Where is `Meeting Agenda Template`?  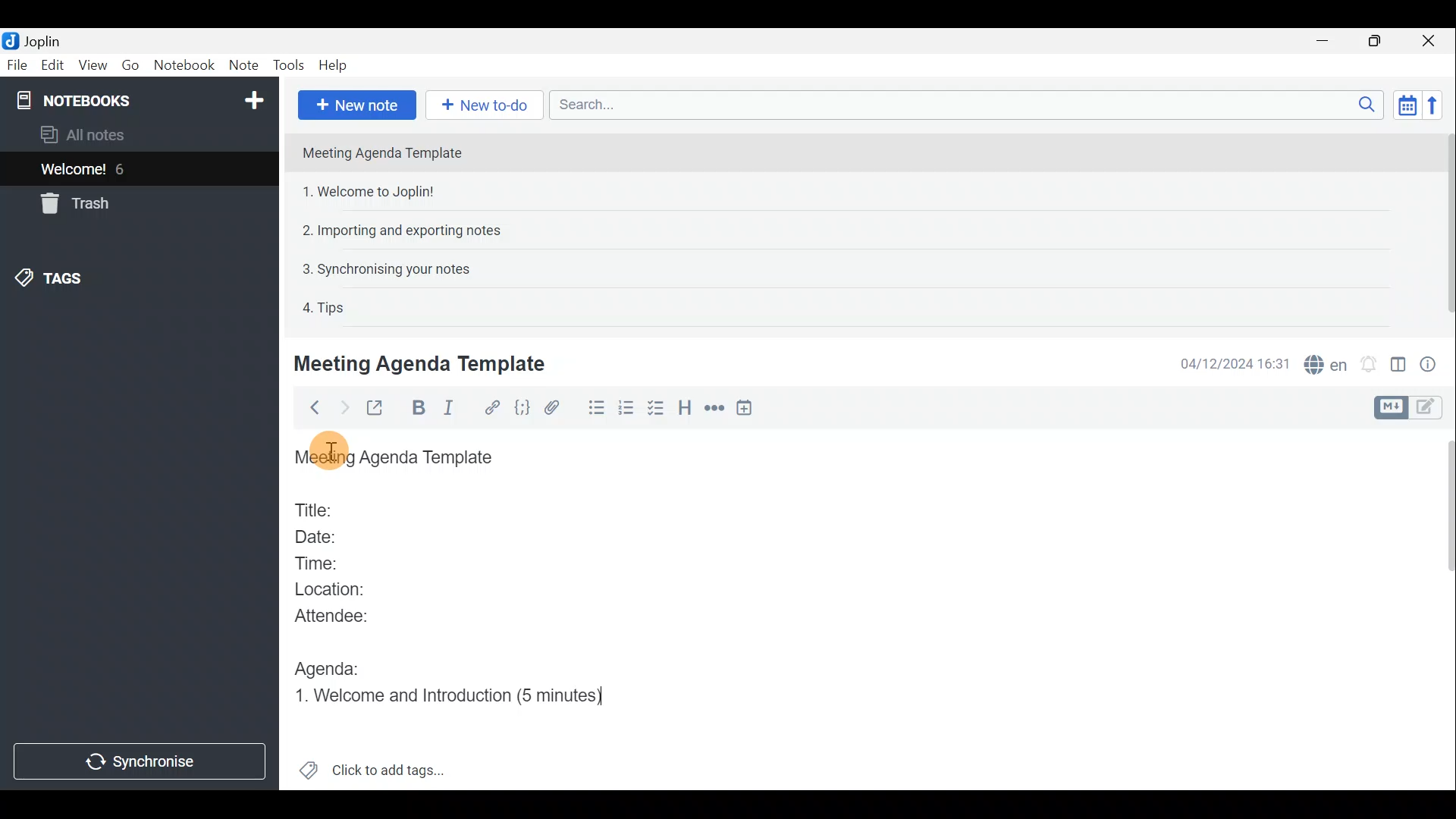 Meeting Agenda Template is located at coordinates (384, 152).